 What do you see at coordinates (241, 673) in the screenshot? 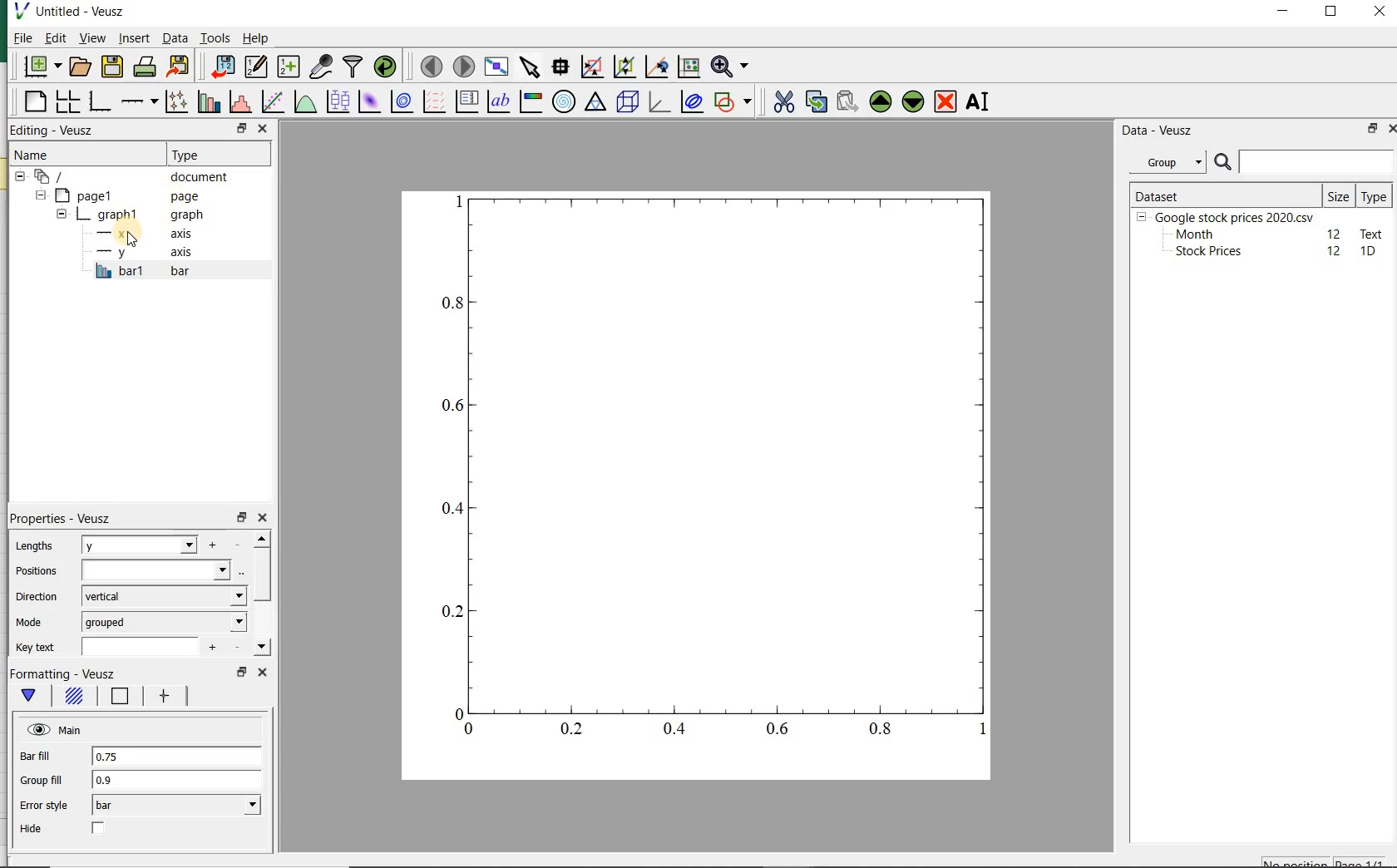
I see `restore` at bounding box center [241, 673].